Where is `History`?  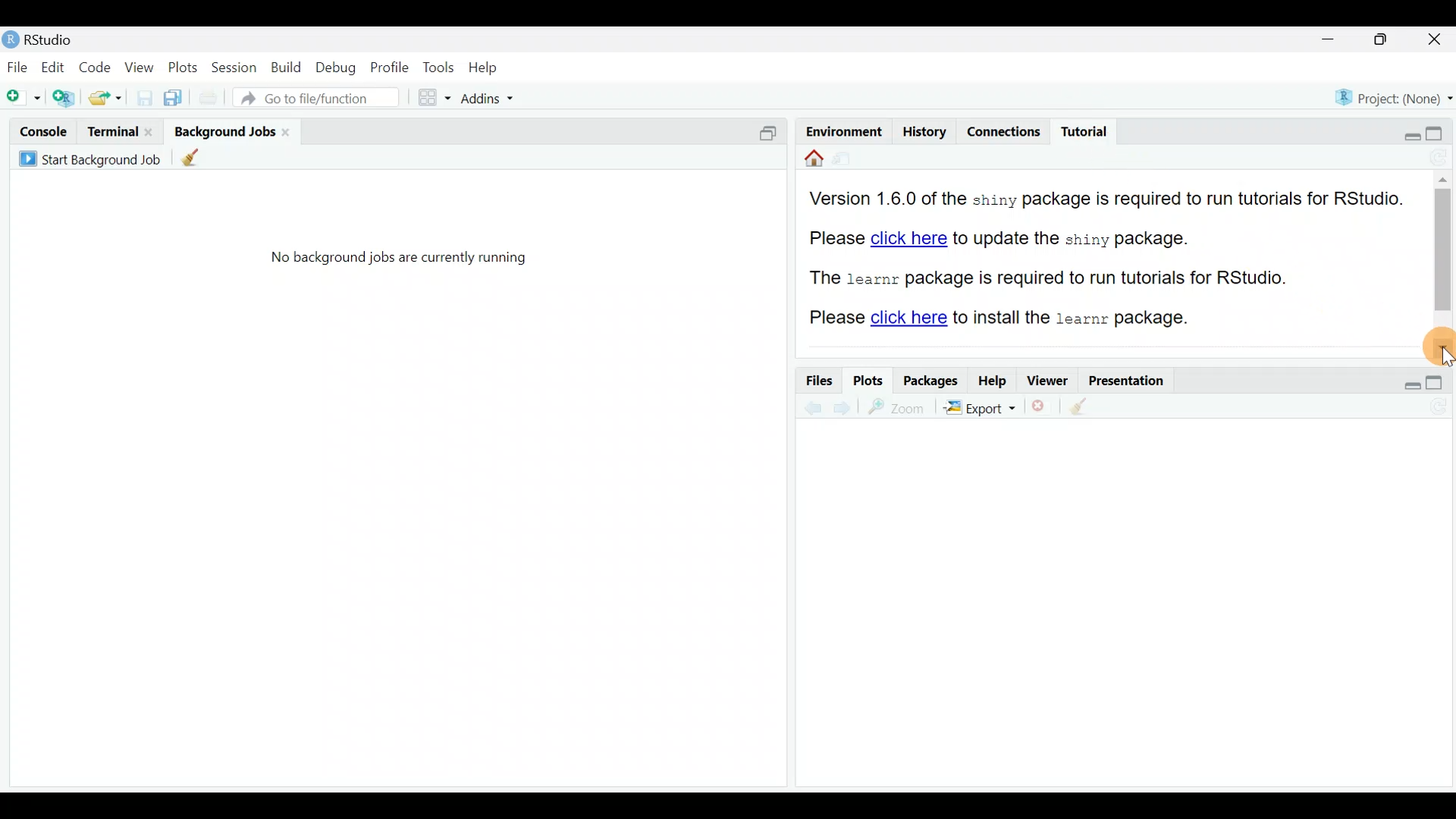 History is located at coordinates (923, 130).